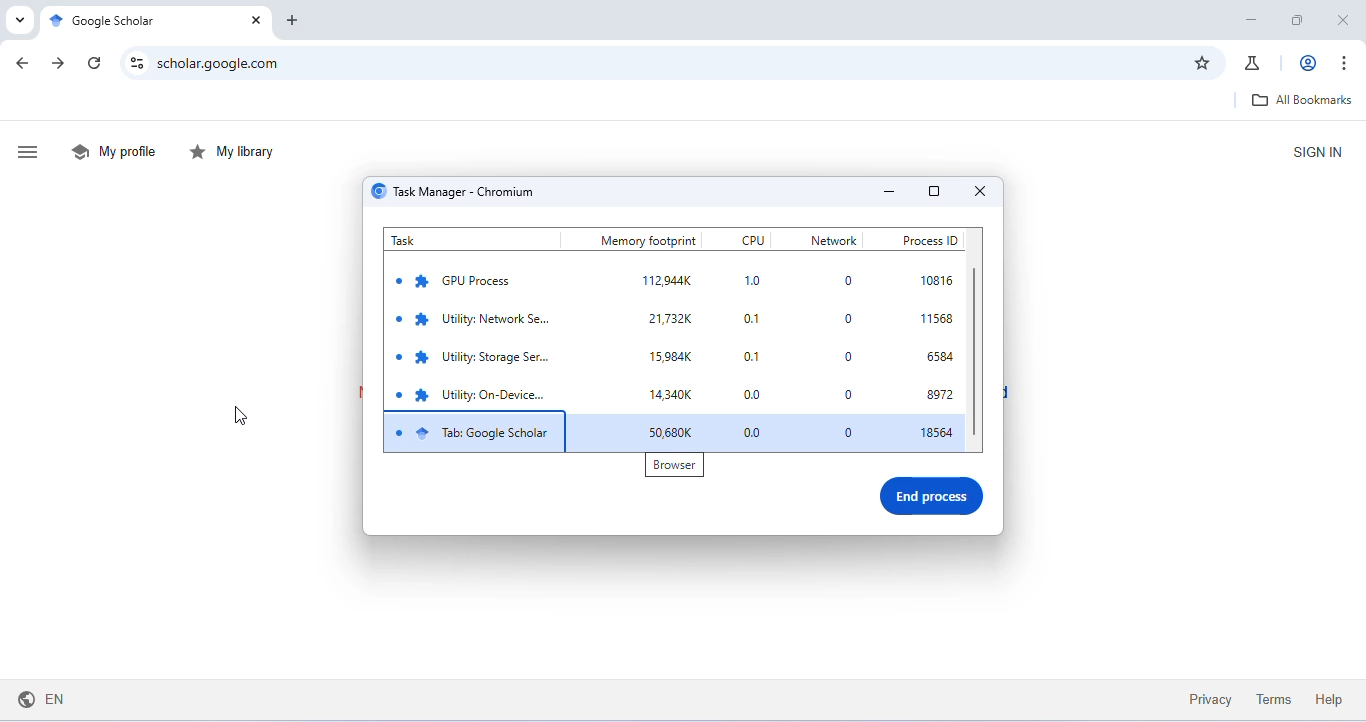  Describe the element at coordinates (1310, 62) in the screenshot. I see `account` at that location.